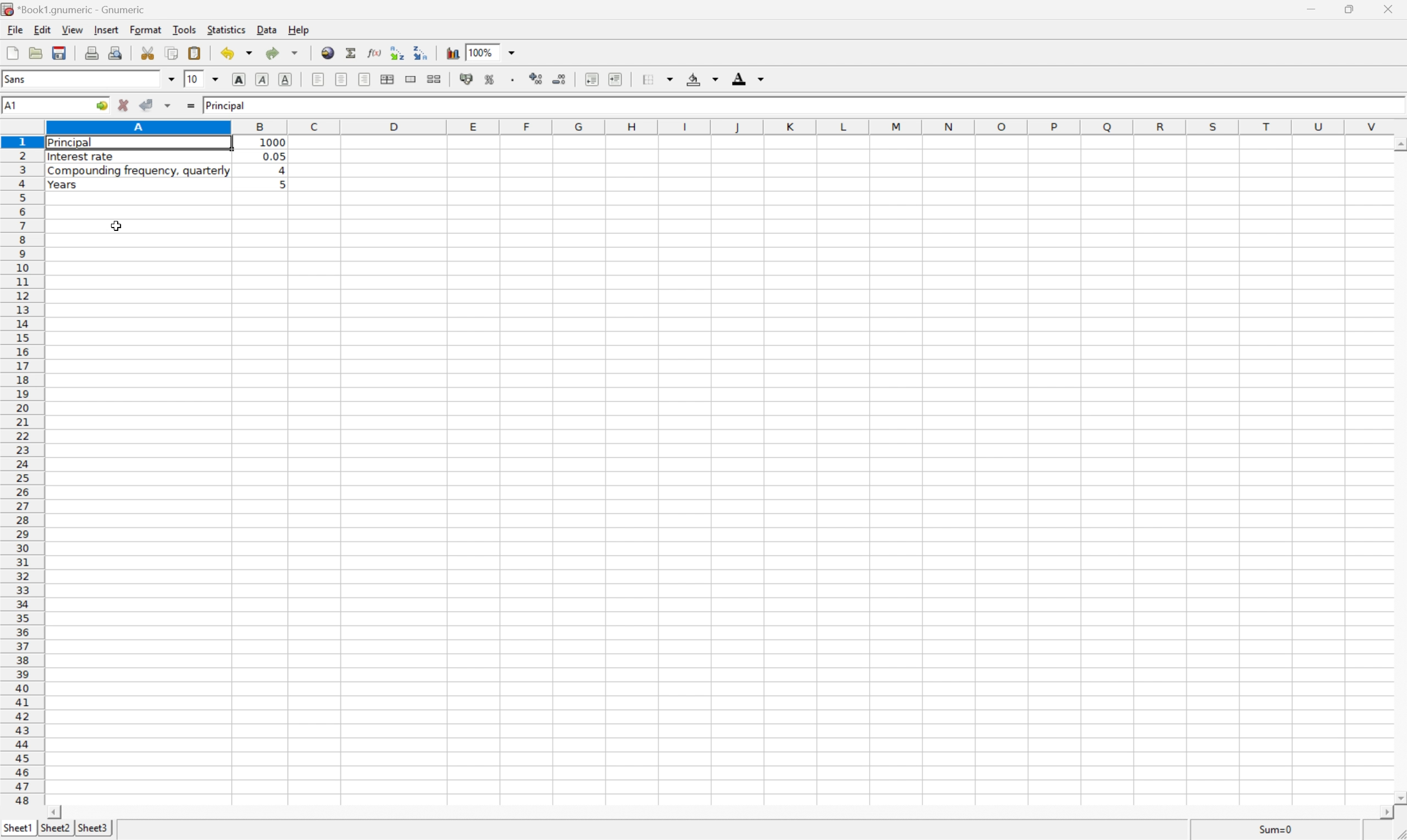  What do you see at coordinates (490, 79) in the screenshot?
I see `format selection as percentage` at bounding box center [490, 79].